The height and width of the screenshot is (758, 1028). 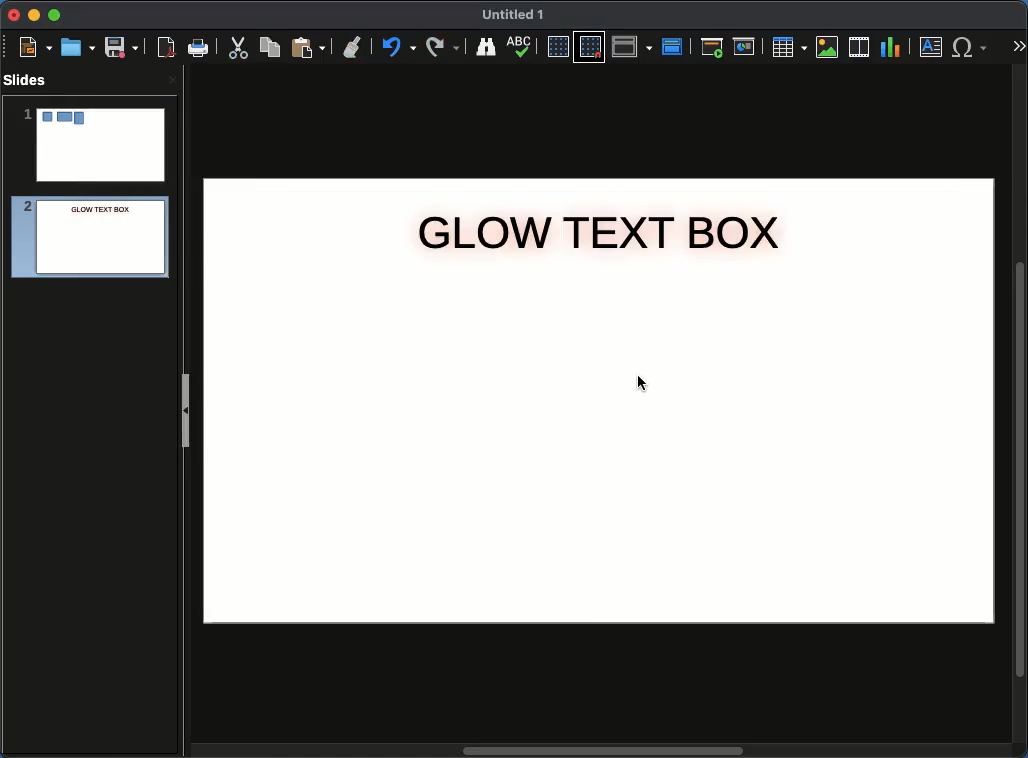 I want to click on Cut, so click(x=238, y=47).